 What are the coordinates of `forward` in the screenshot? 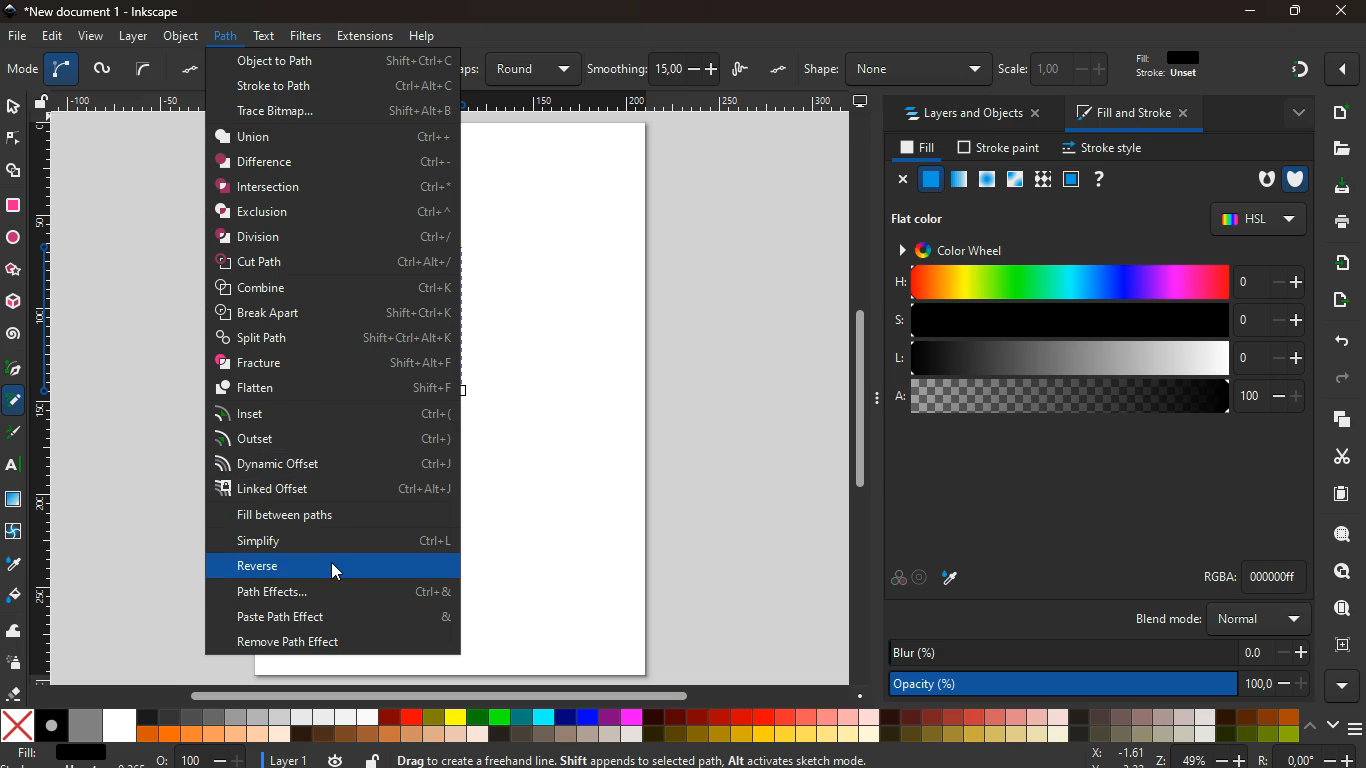 It's located at (1345, 379).